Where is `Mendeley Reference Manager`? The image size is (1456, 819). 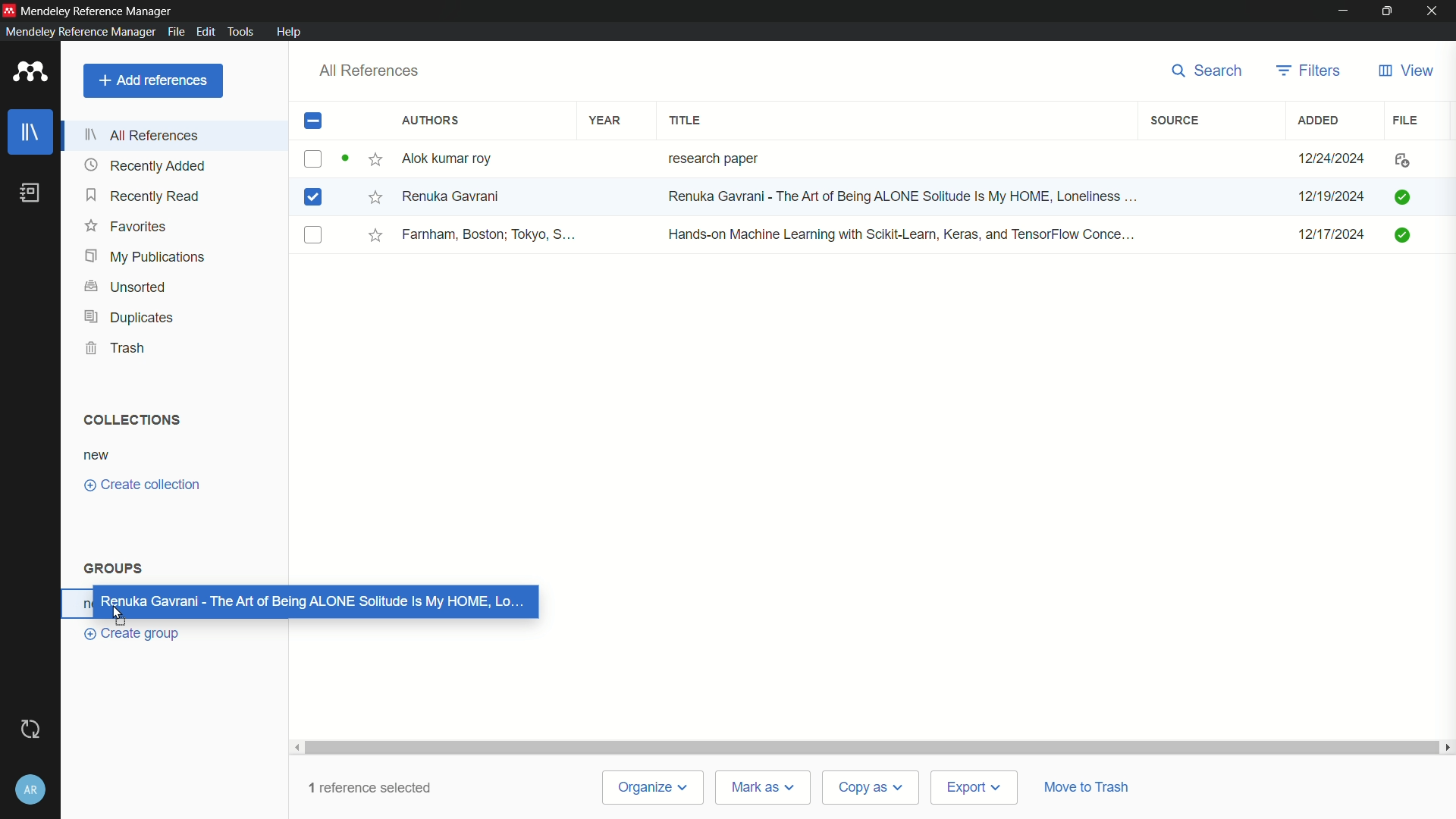
Mendeley Reference Manager is located at coordinates (99, 9).